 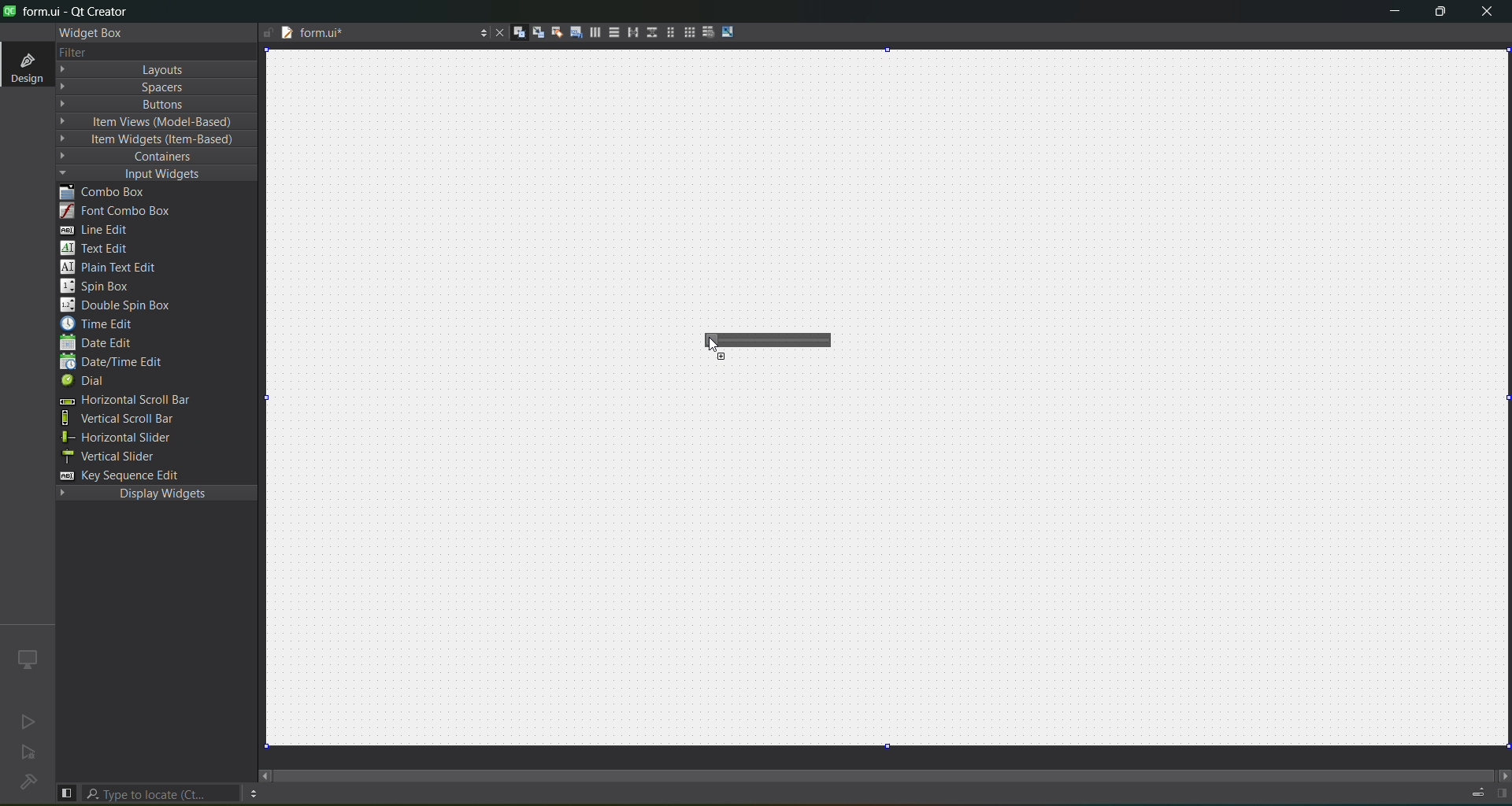 I want to click on horizontal slider, so click(x=123, y=439).